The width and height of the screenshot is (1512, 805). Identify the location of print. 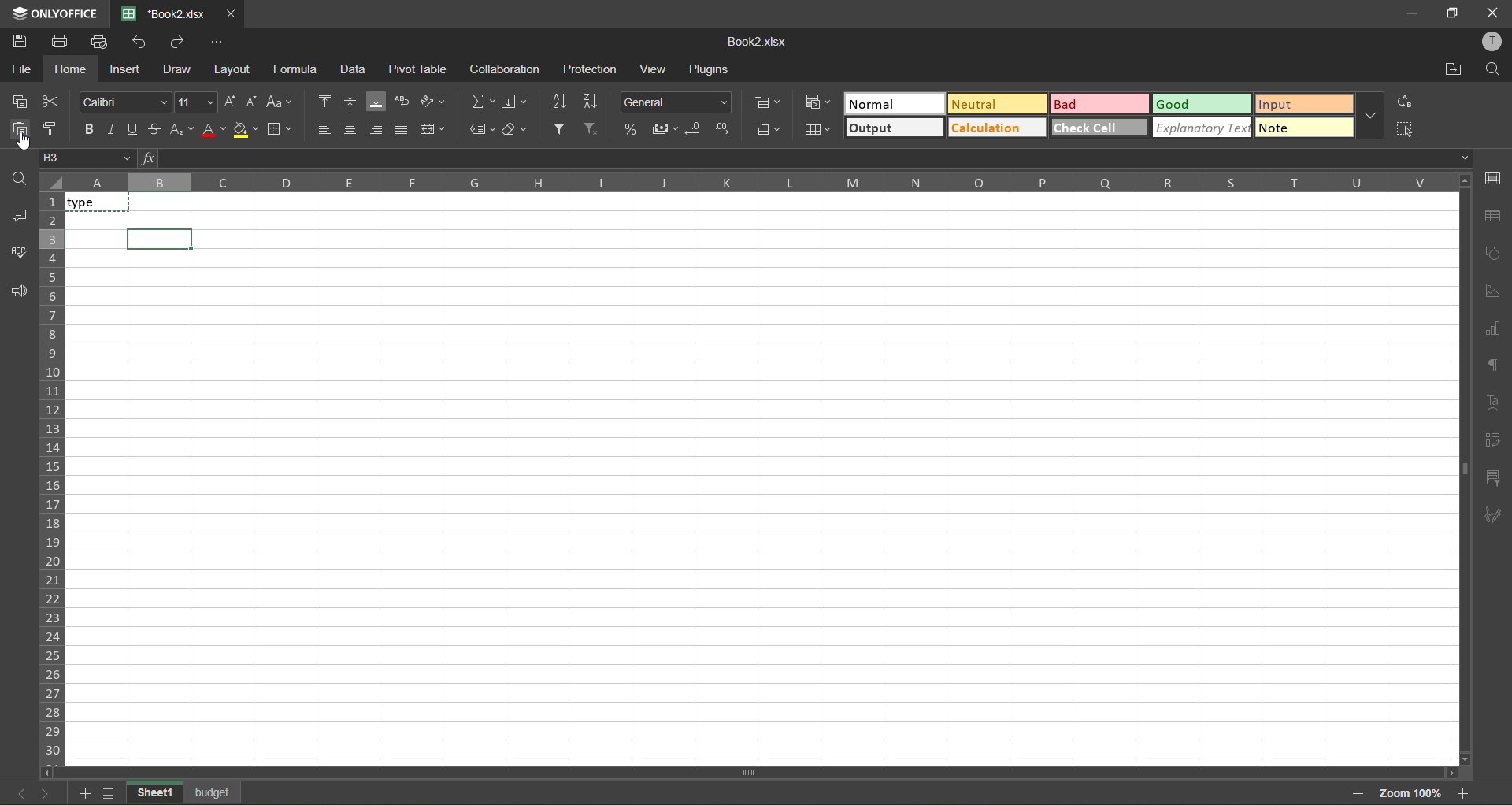
(63, 42).